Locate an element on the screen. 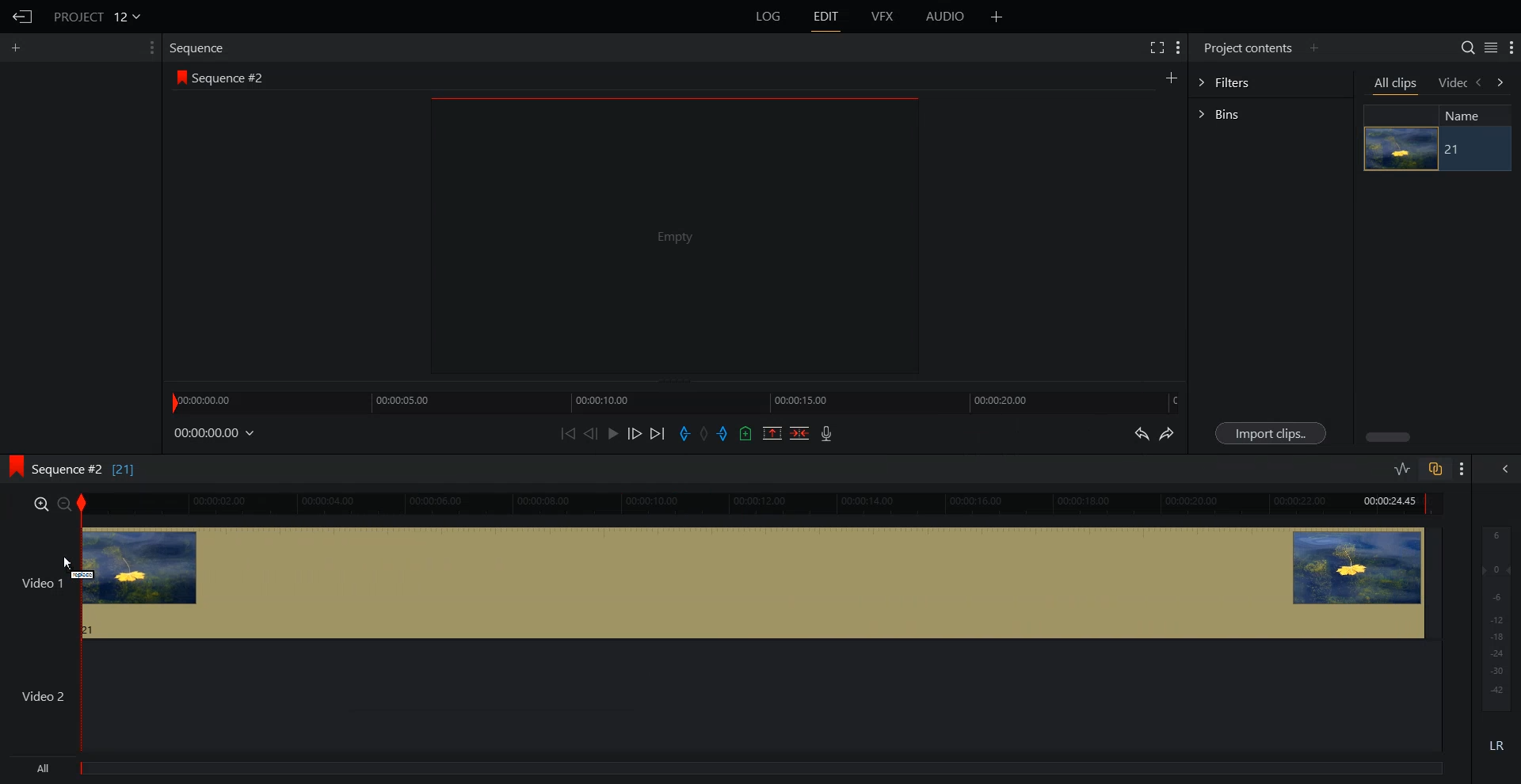 The width and height of the screenshot is (1521, 784). Create Sequence is located at coordinates (1170, 78).